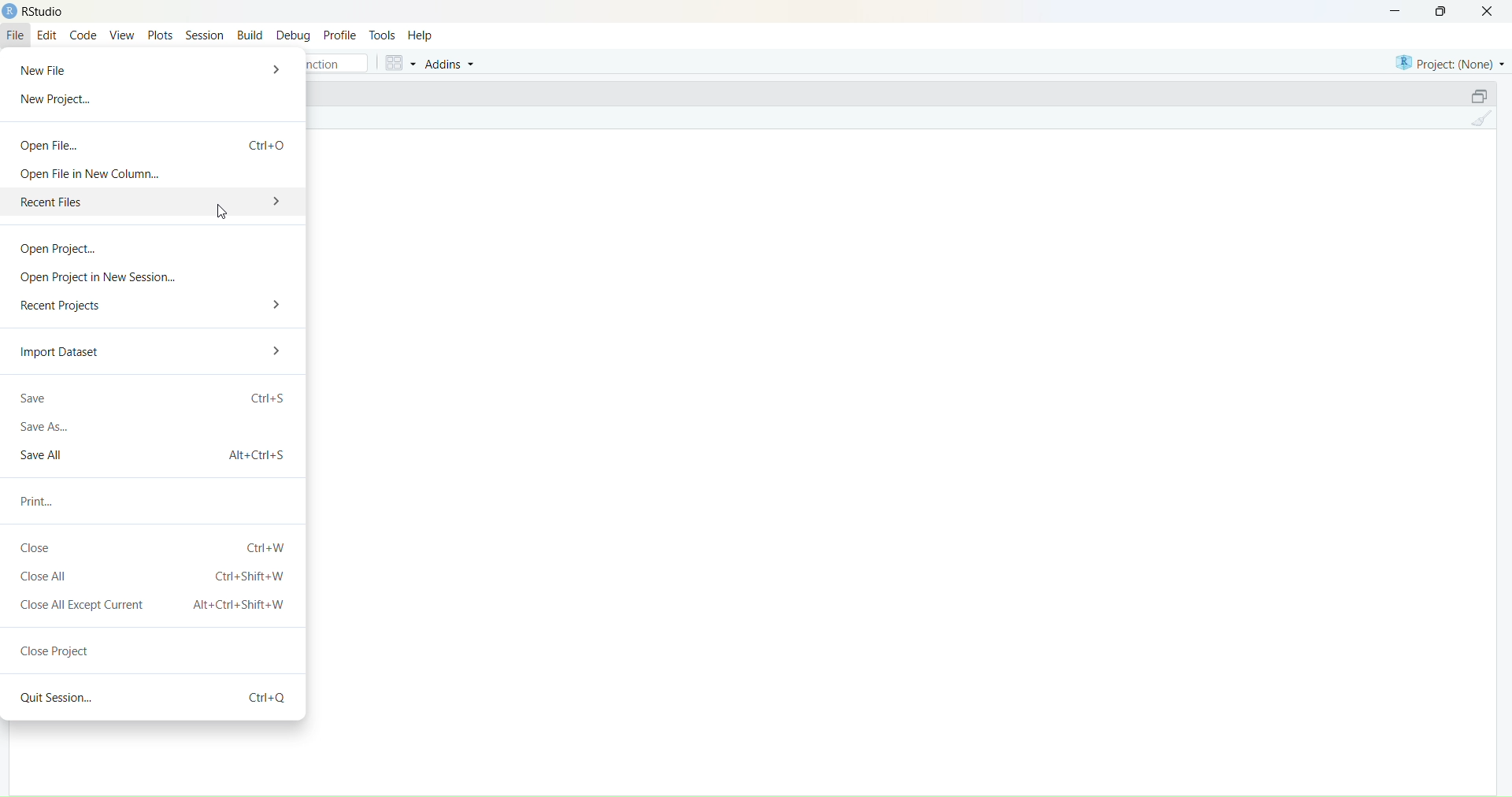  Describe the element at coordinates (65, 307) in the screenshot. I see `Recent Projects` at that location.